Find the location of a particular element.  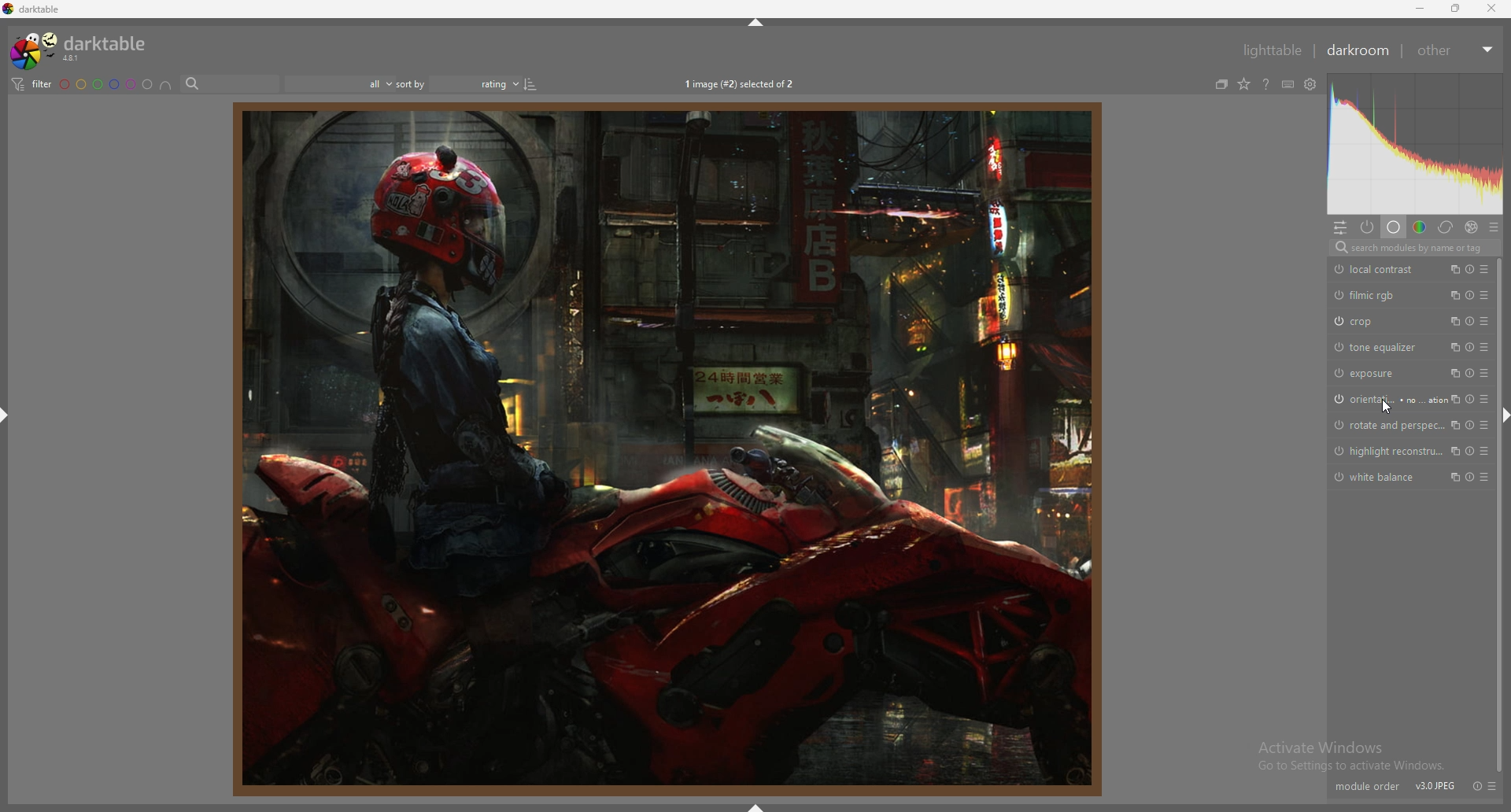

get help is located at coordinates (1266, 85).